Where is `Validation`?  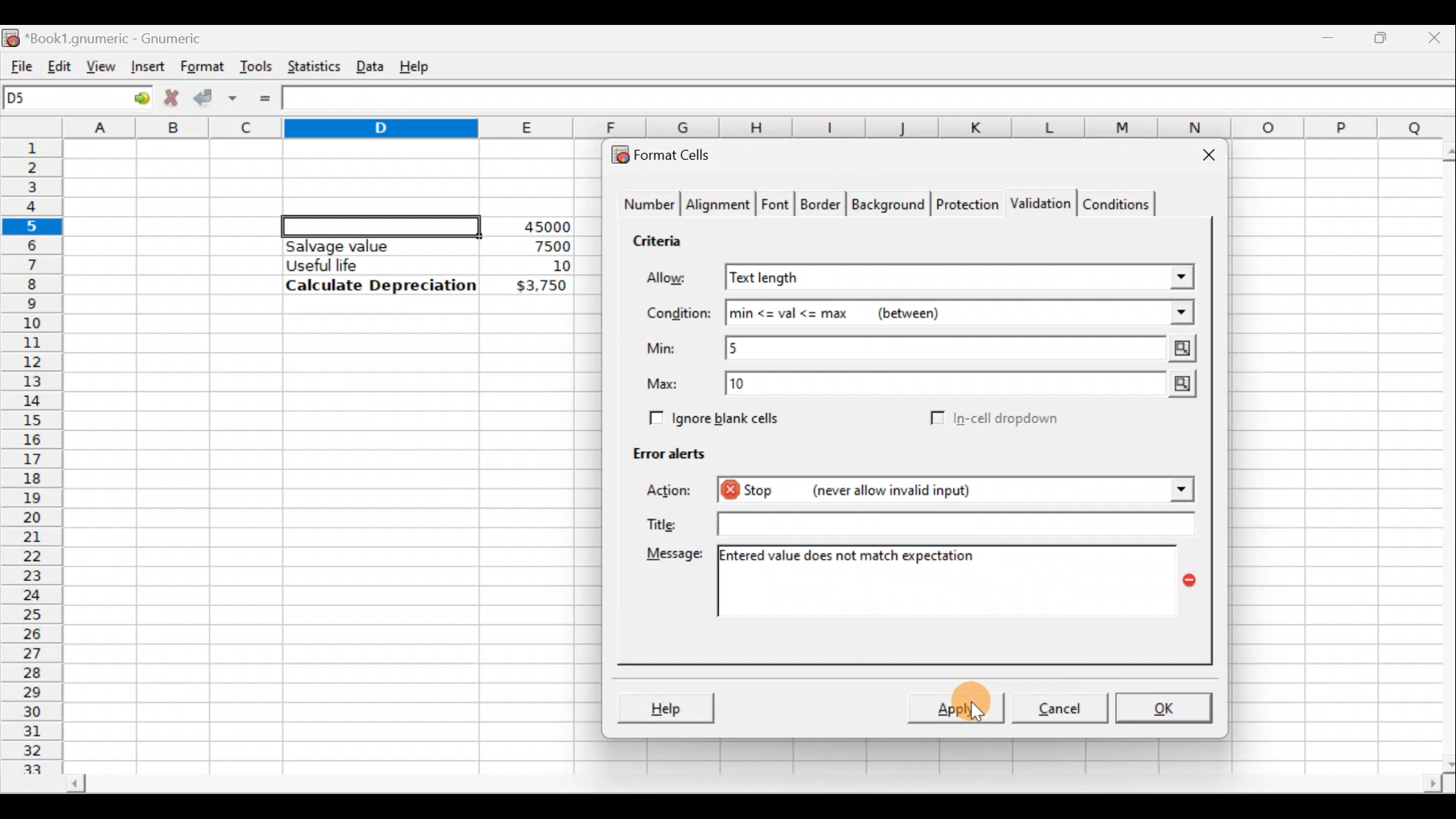 Validation is located at coordinates (1037, 205).